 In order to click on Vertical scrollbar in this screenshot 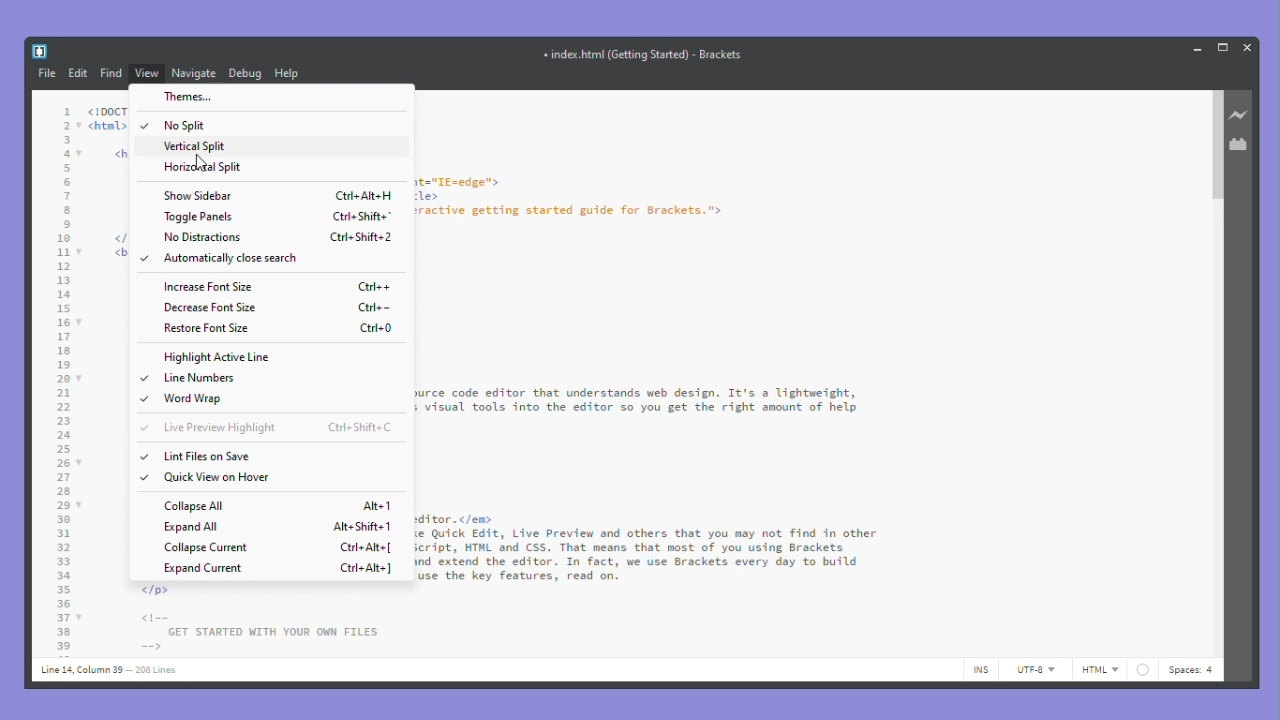, I will do `click(1215, 147)`.